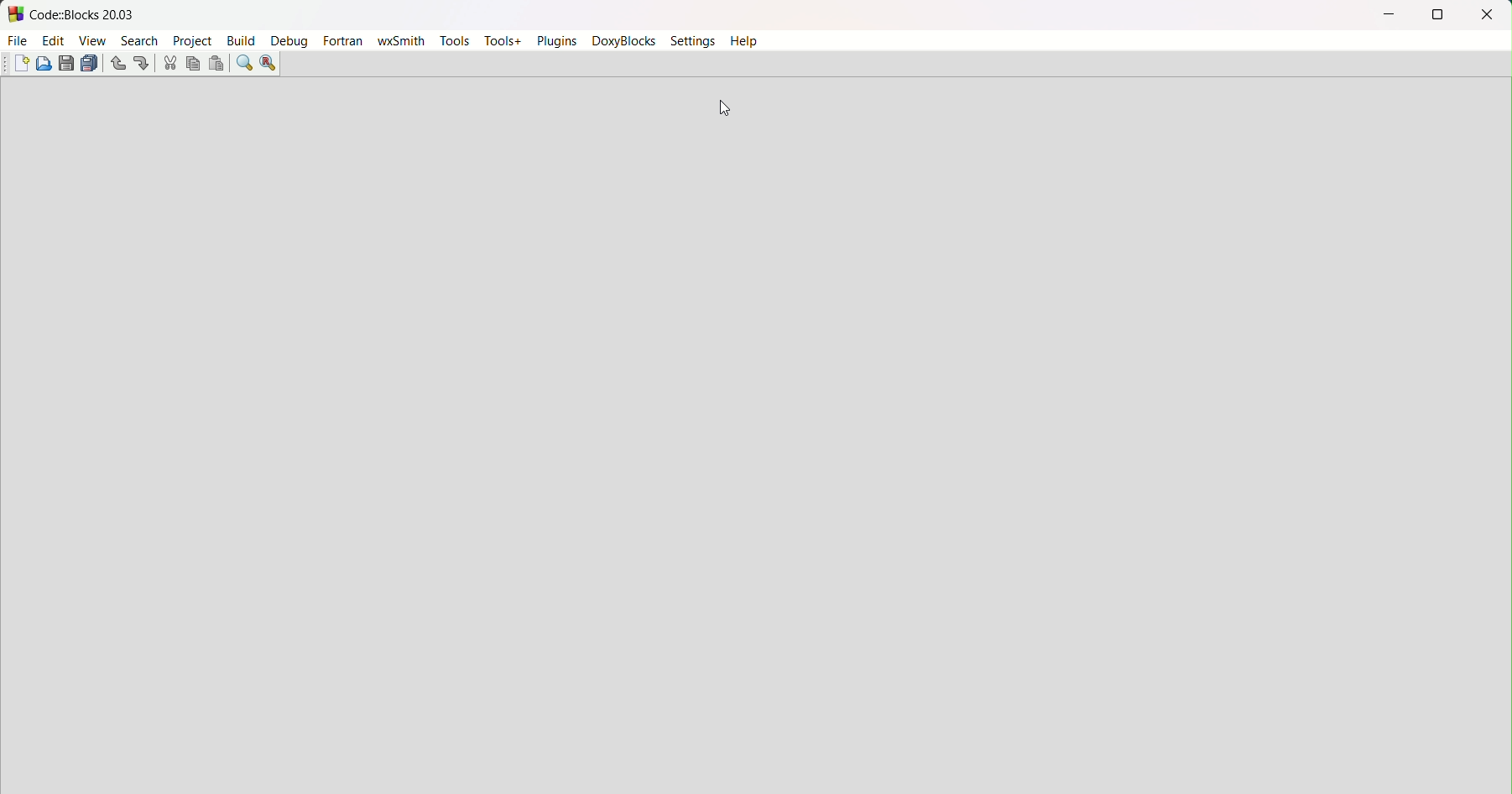  What do you see at coordinates (454, 41) in the screenshot?
I see `tools` at bounding box center [454, 41].